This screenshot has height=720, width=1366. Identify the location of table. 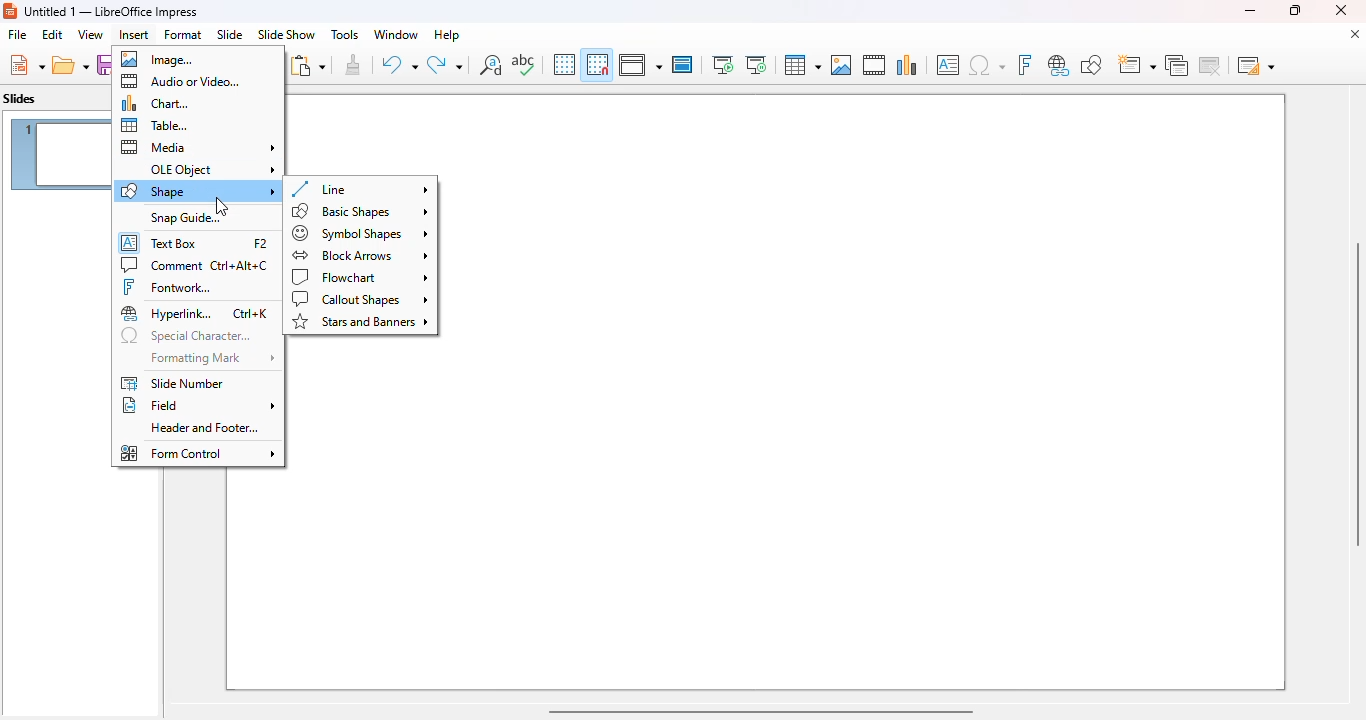
(155, 125).